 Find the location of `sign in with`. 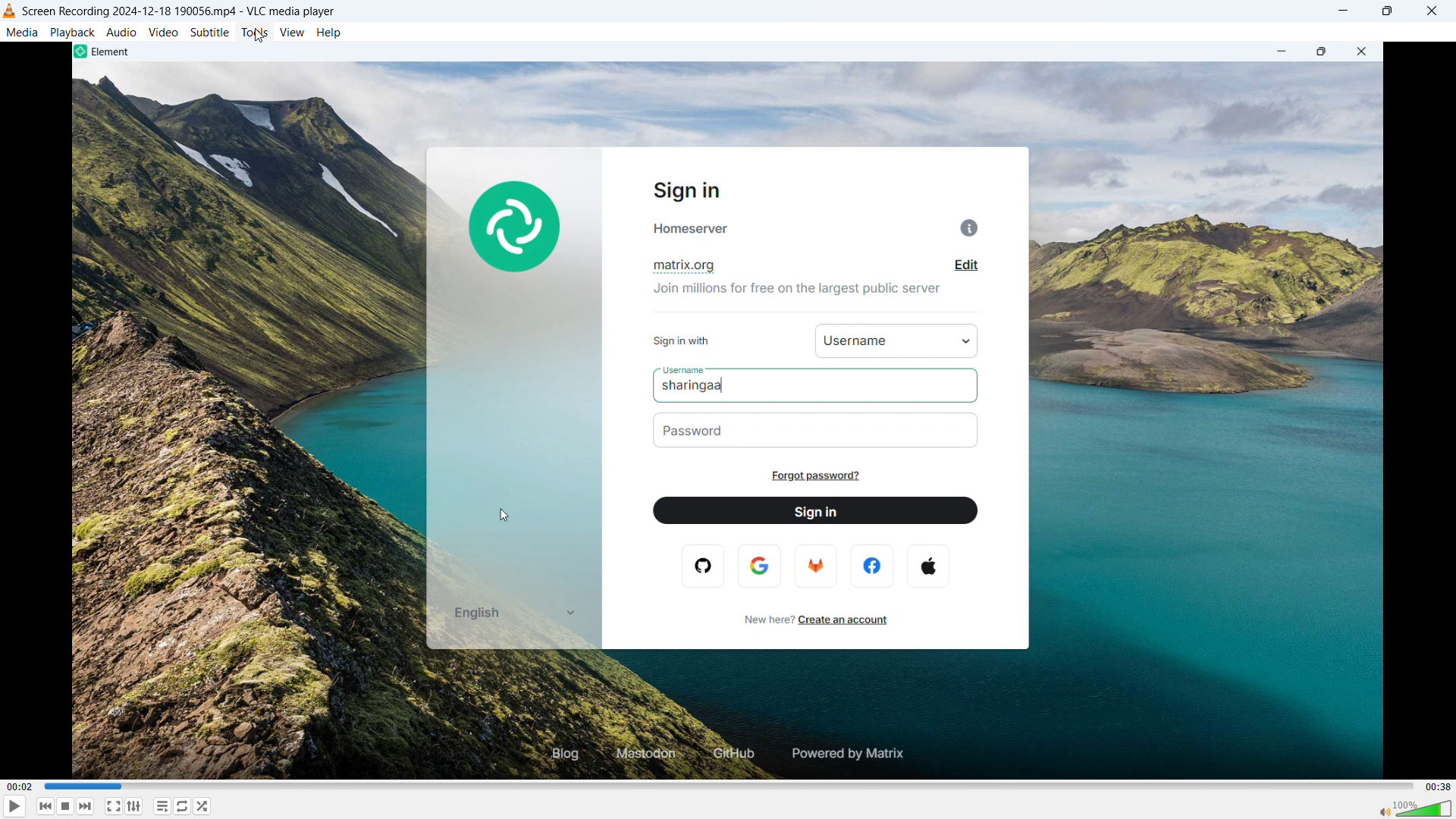

sign in with is located at coordinates (679, 337).